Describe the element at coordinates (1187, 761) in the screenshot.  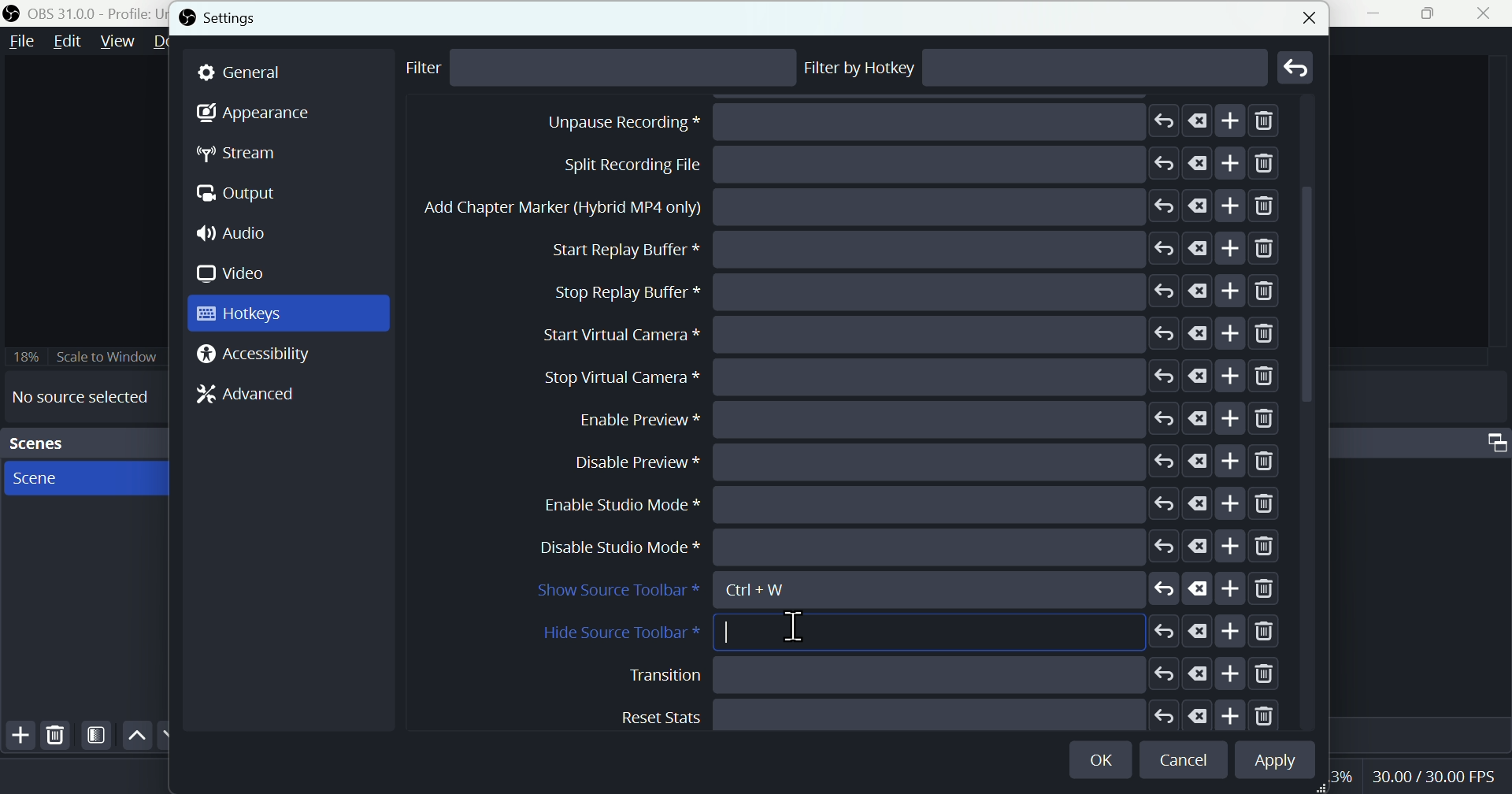
I see `cancel` at that location.